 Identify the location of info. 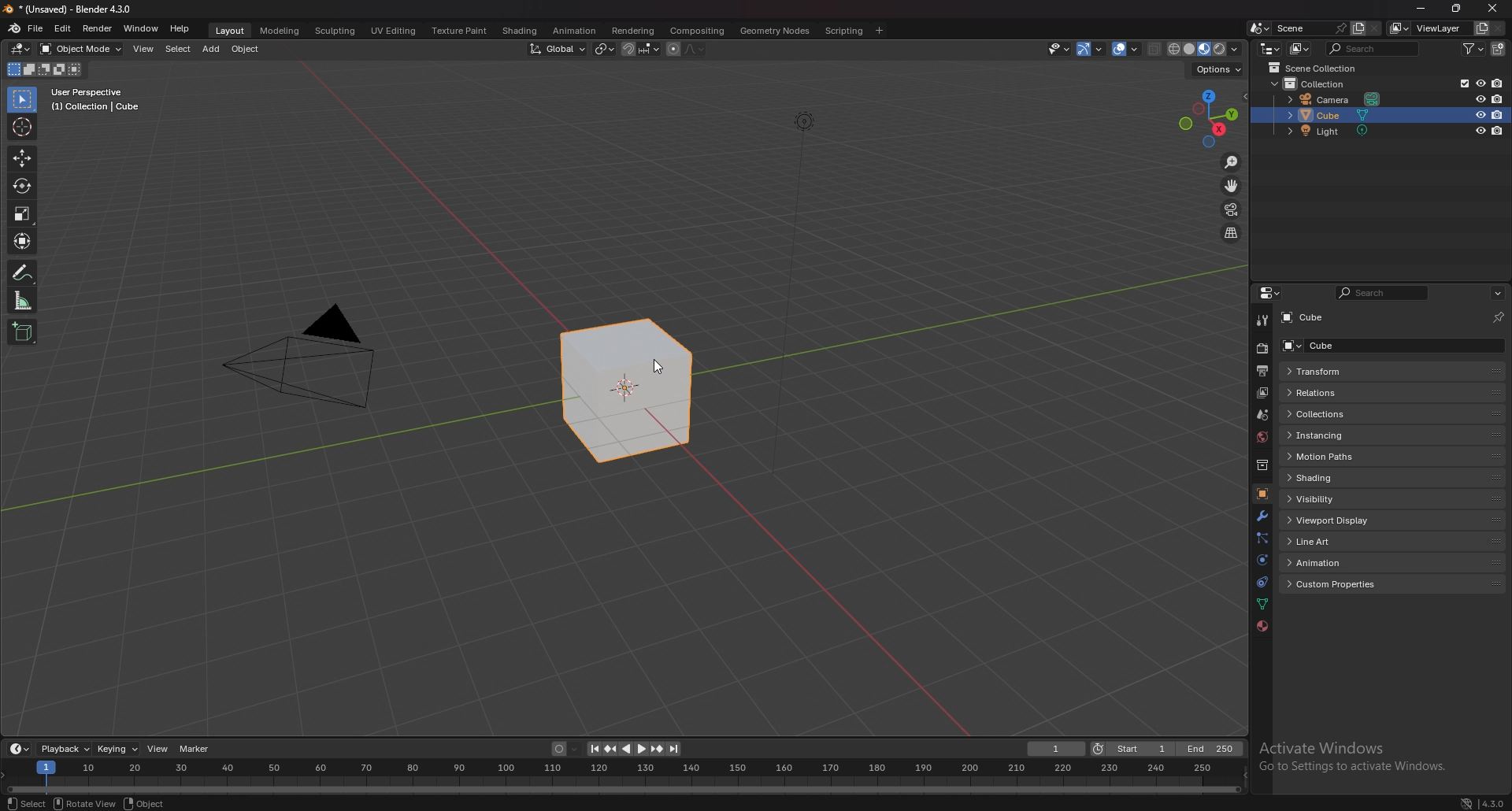
(96, 99).